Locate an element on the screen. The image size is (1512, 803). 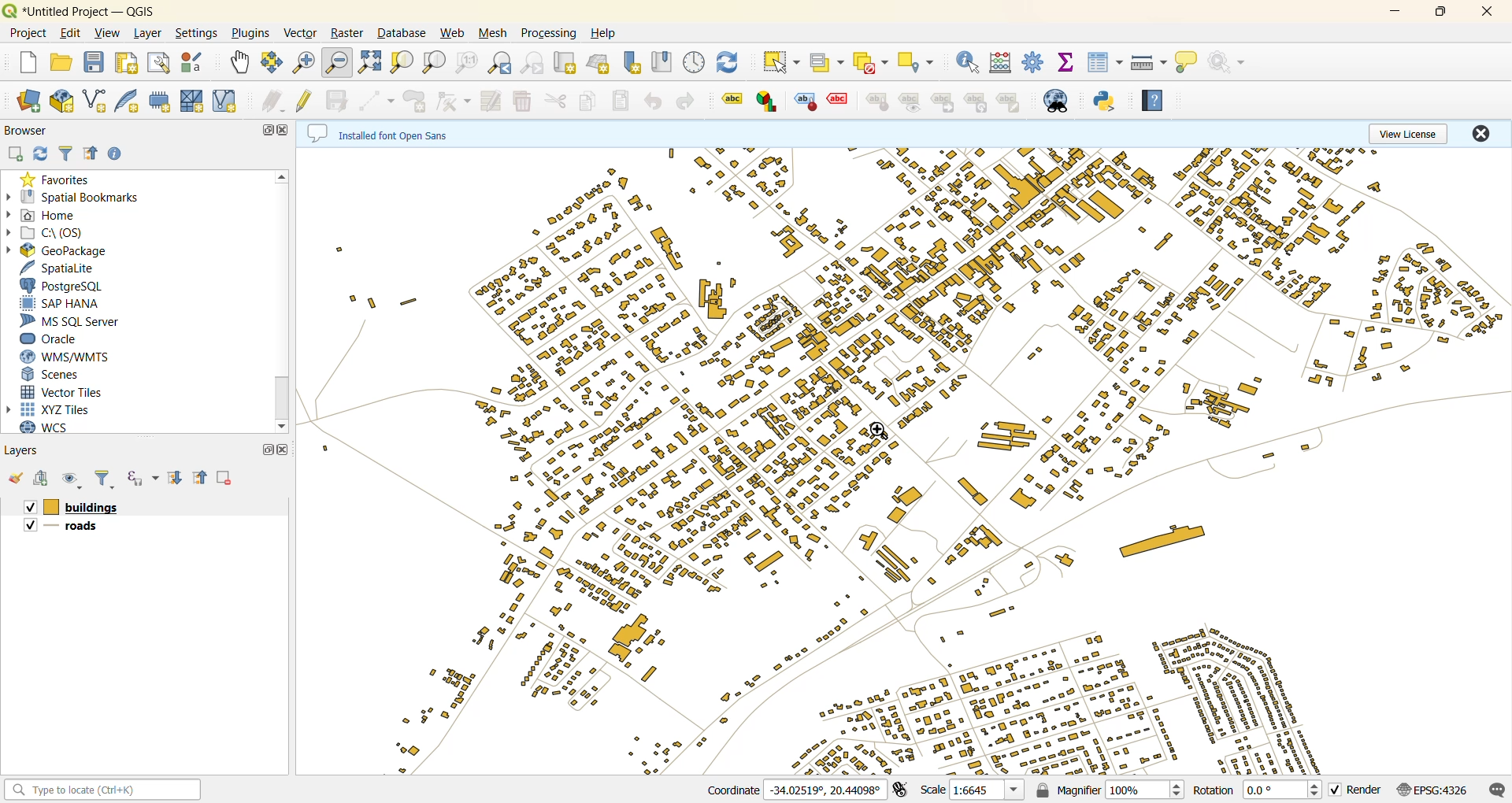
sap hana is located at coordinates (66, 303).